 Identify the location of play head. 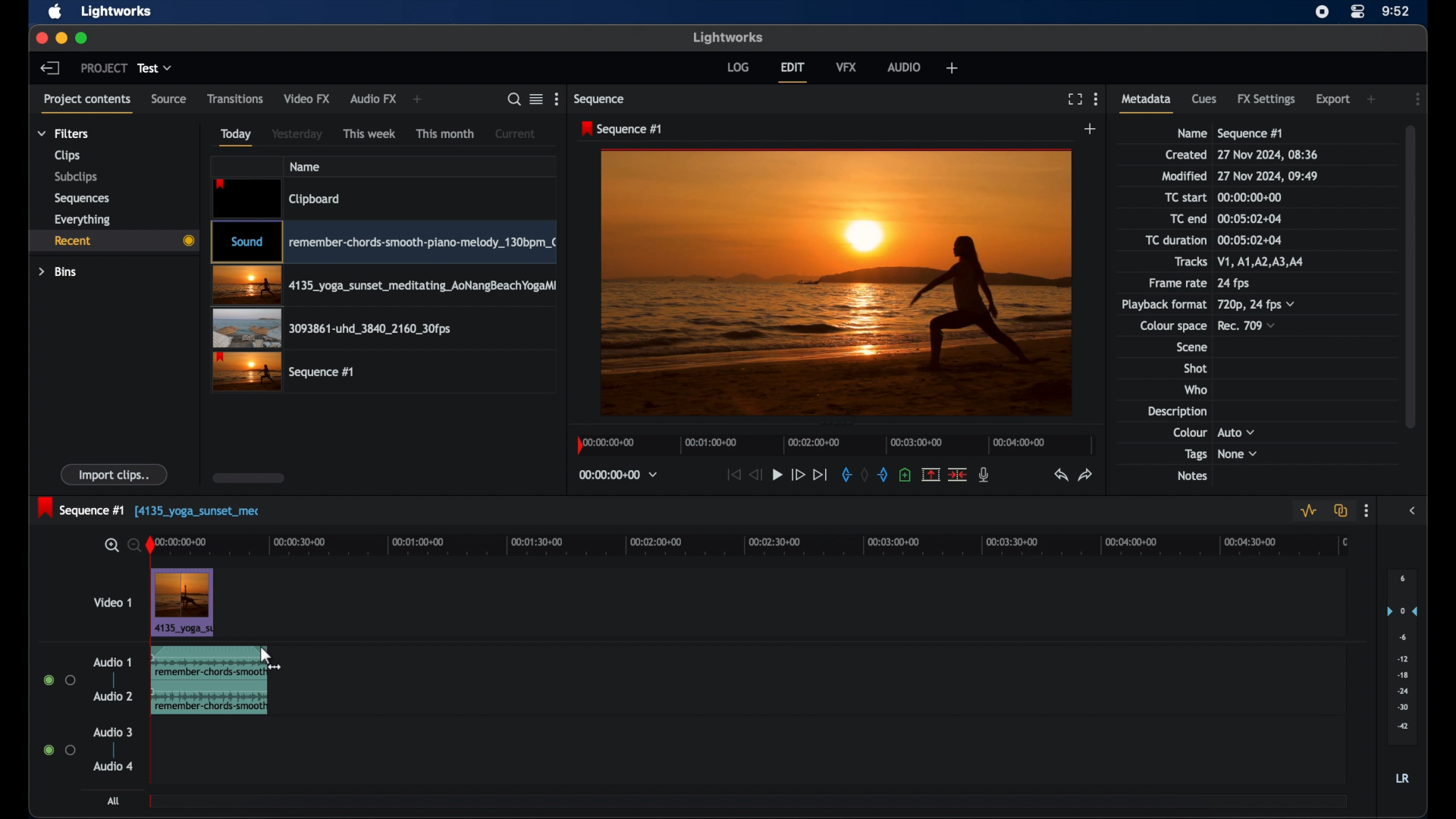
(151, 546).